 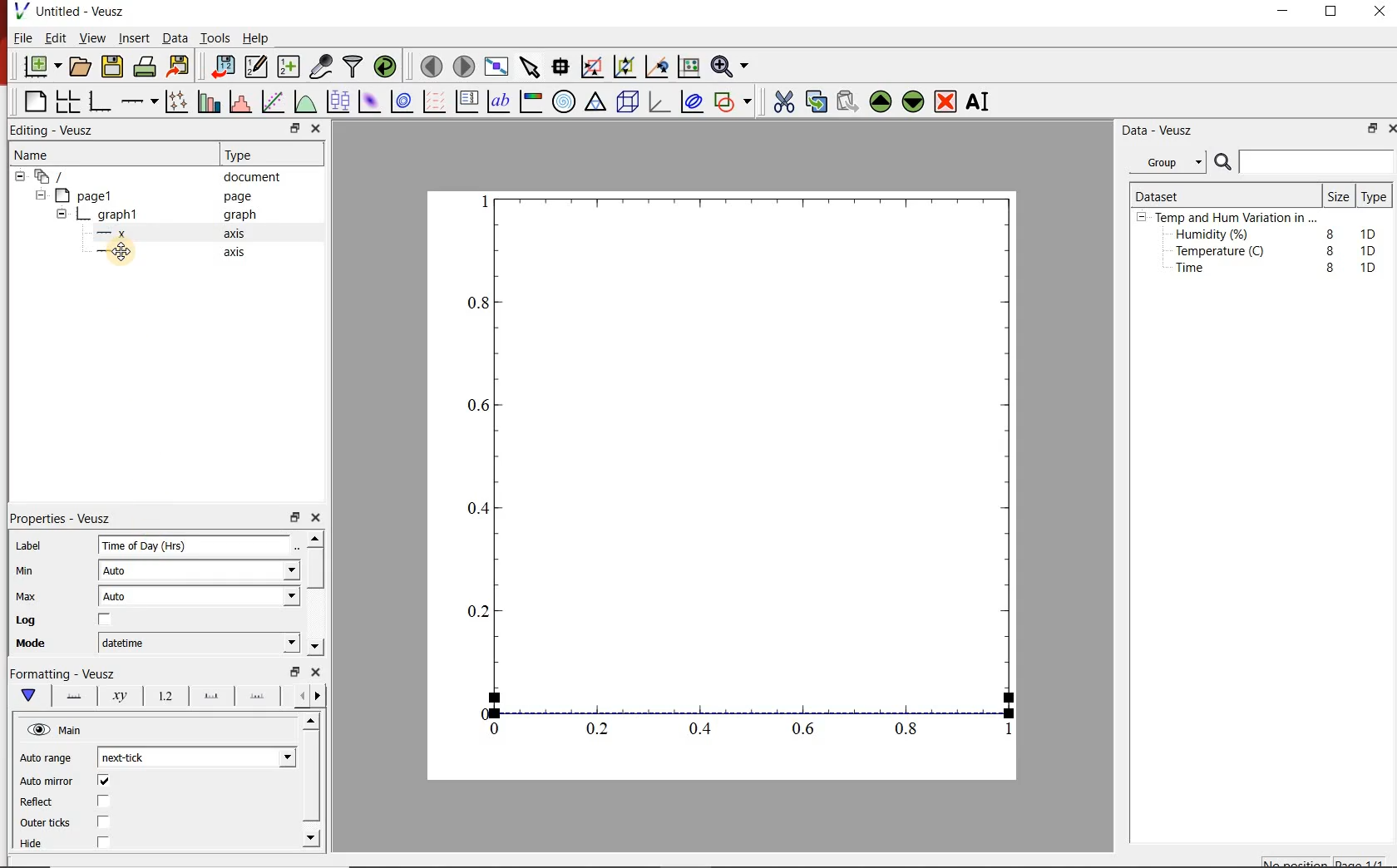 What do you see at coordinates (136, 757) in the screenshot?
I see `next-tick` at bounding box center [136, 757].